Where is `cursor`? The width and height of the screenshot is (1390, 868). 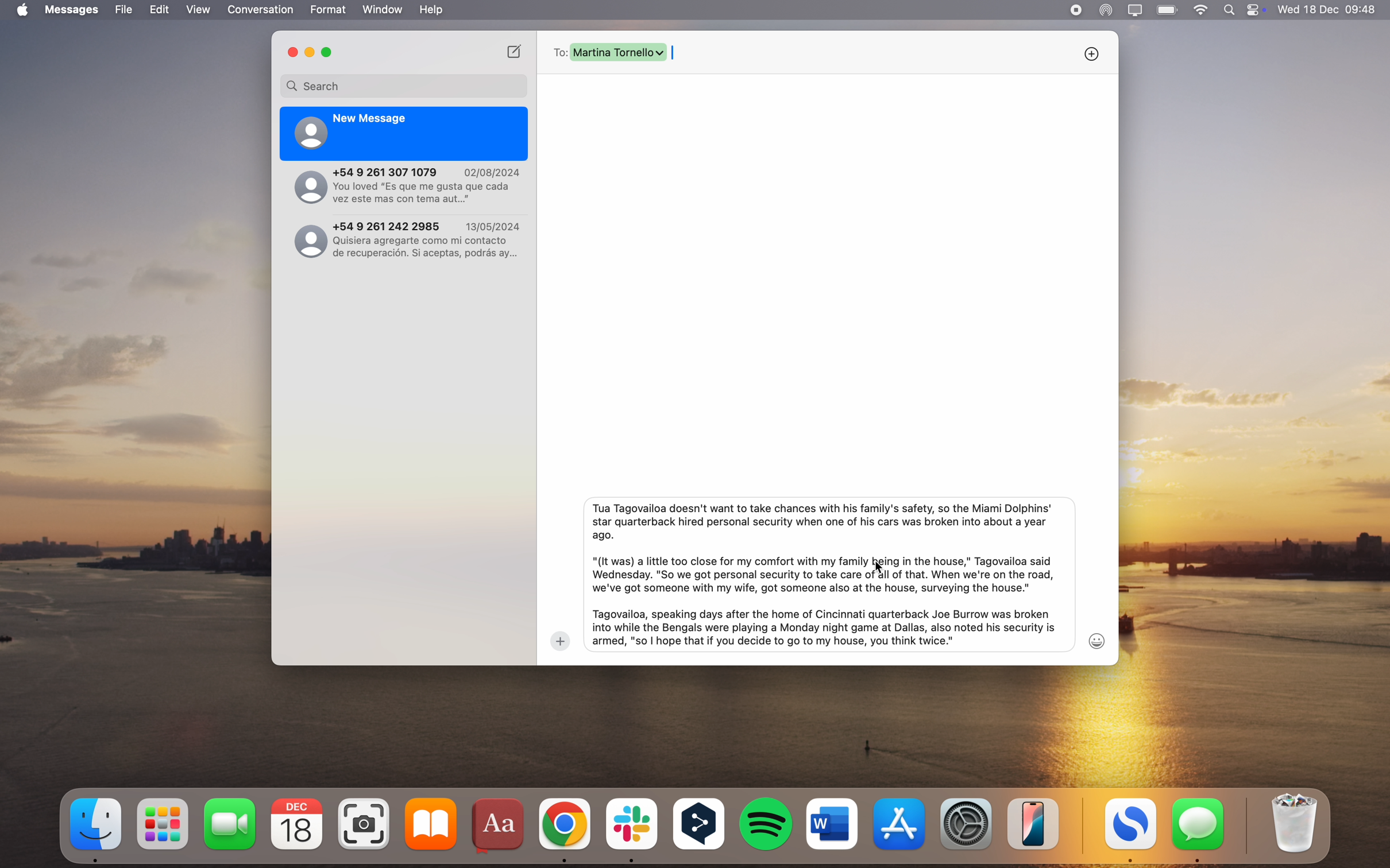
cursor is located at coordinates (881, 567).